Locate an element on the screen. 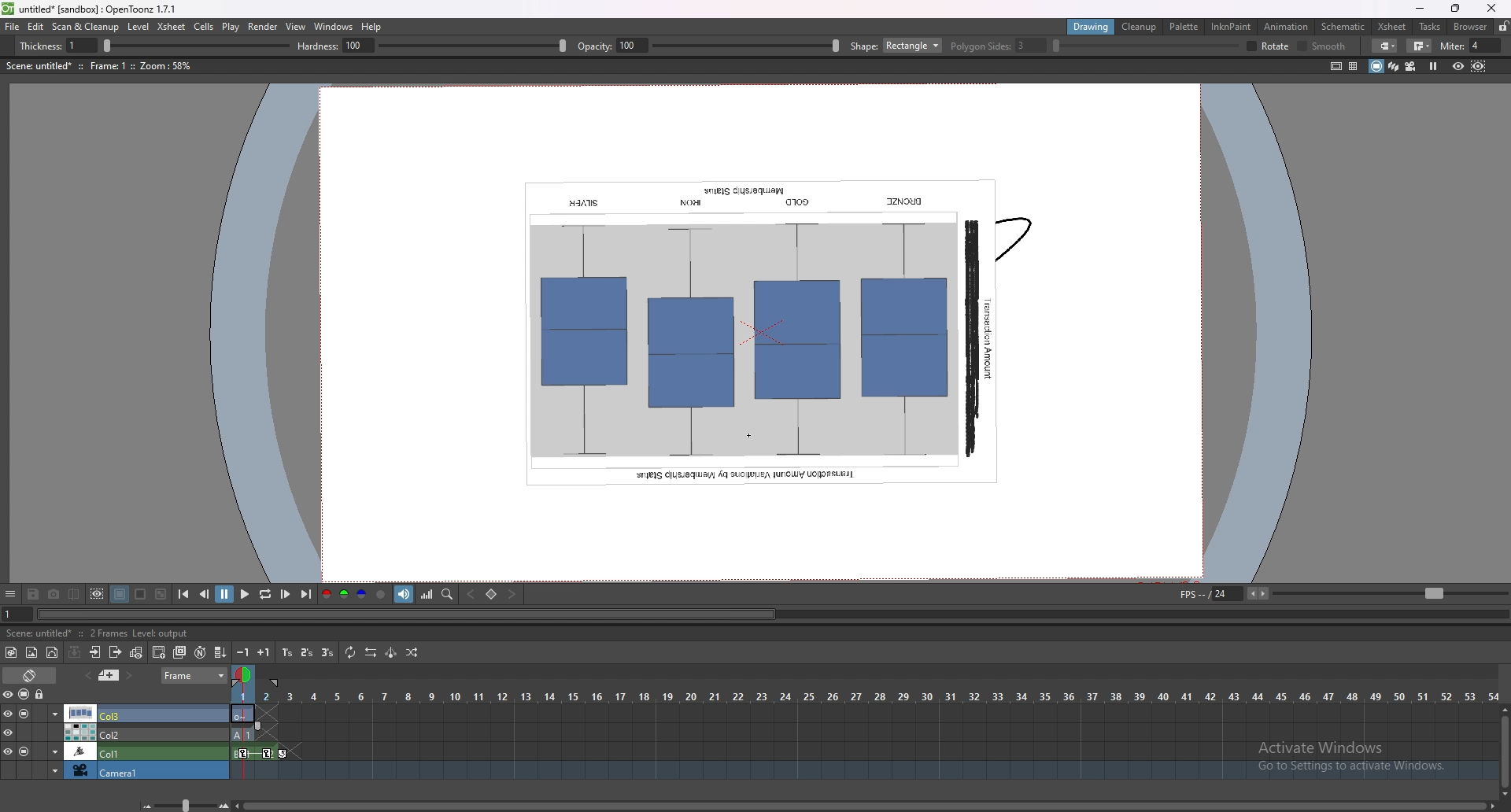  camera stand view is located at coordinates (1375, 66).